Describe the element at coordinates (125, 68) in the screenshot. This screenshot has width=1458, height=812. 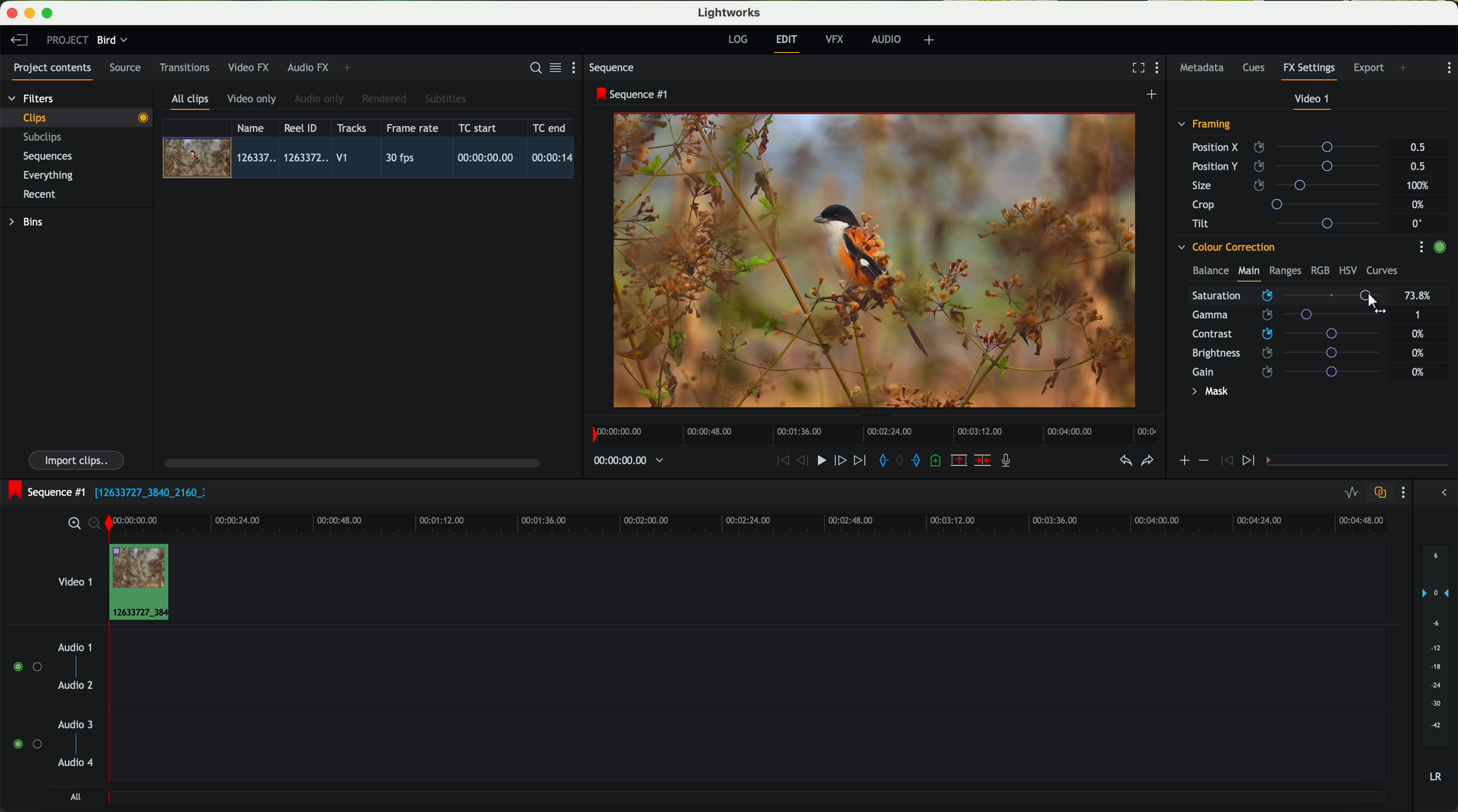
I see `source` at that location.